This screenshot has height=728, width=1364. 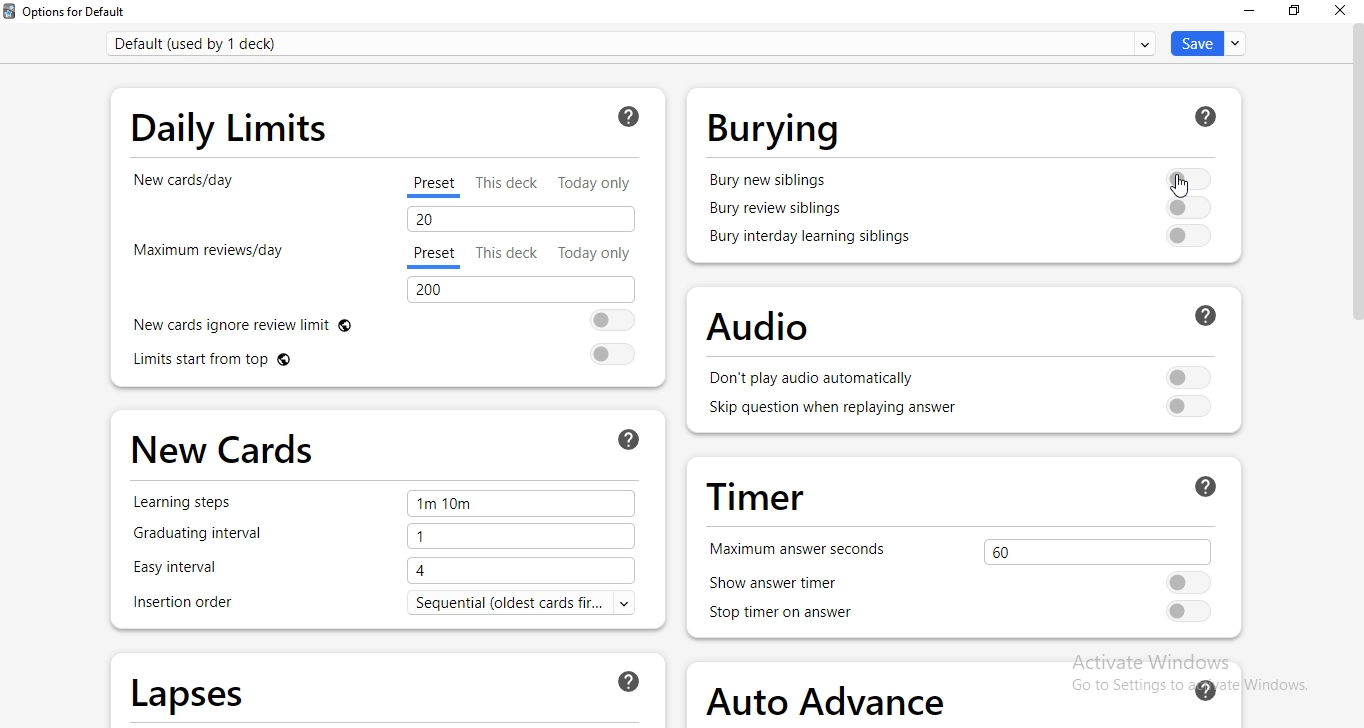 I want to click on close, so click(x=1338, y=14).